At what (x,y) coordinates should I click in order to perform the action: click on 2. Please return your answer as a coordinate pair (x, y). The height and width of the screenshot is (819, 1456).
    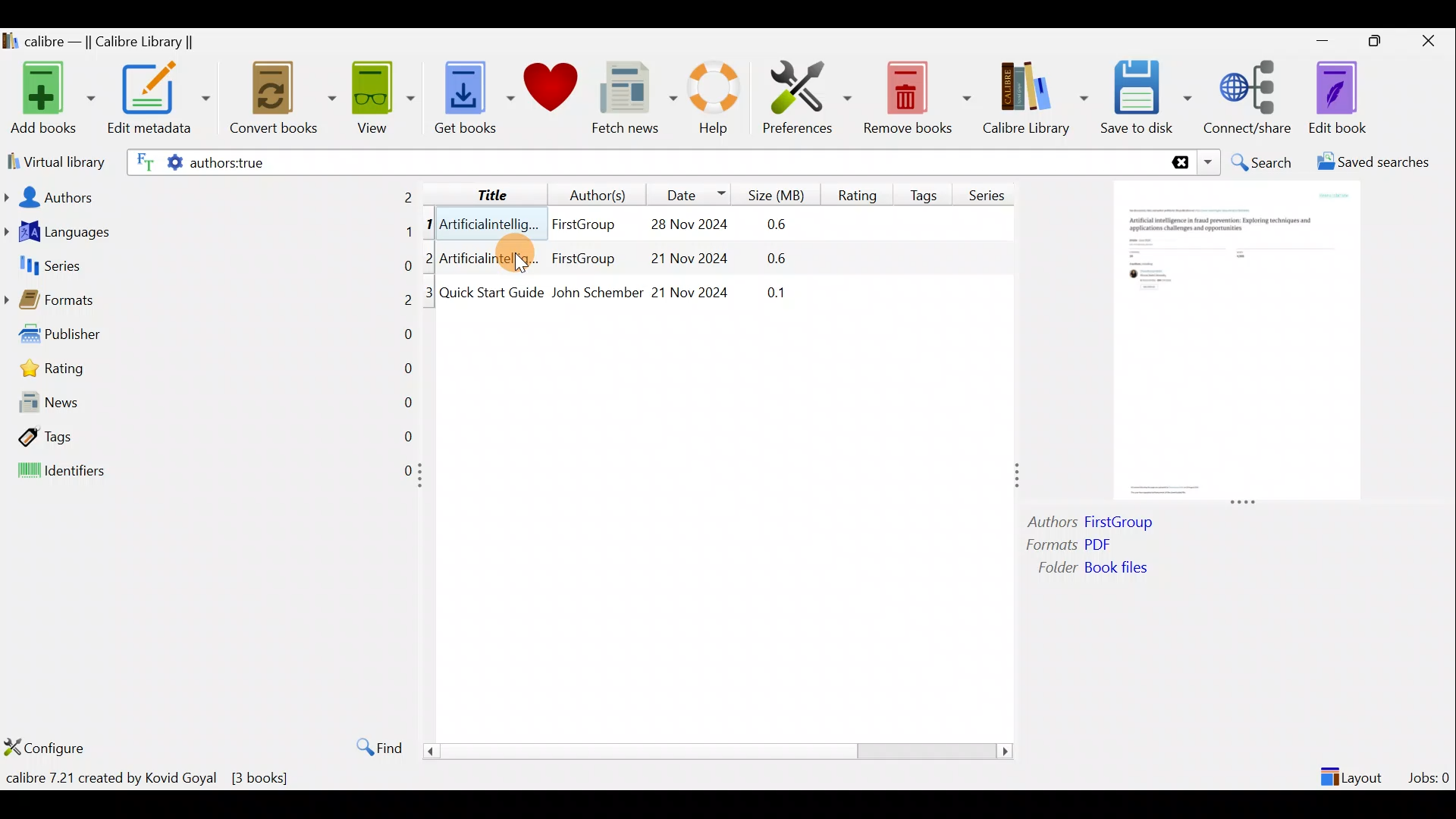
    Looking at the image, I should click on (431, 257).